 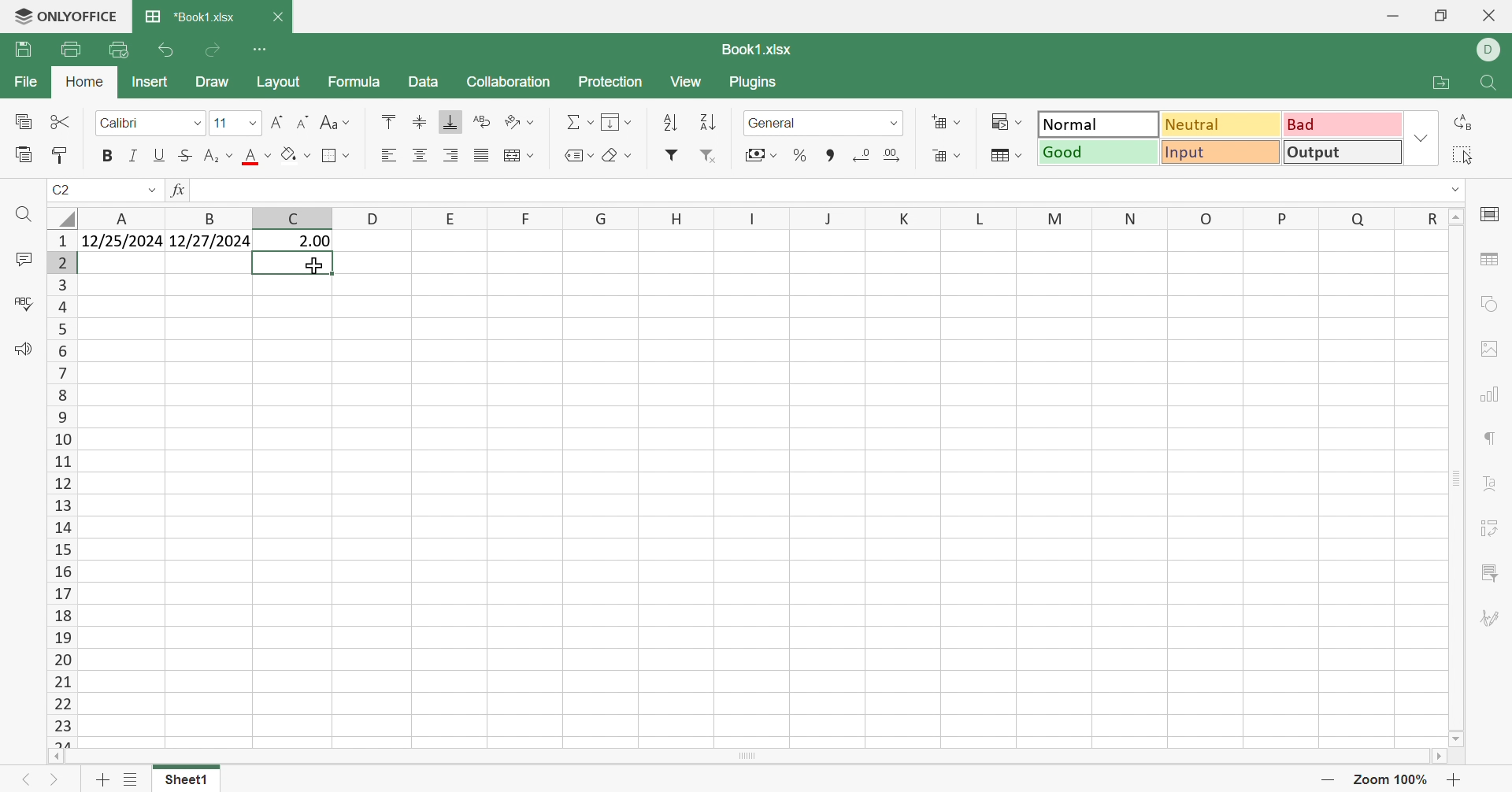 What do you see at coordinates (949, 157) in the screenshot?
I see `Delete cells` at bounding box center [949, 157].